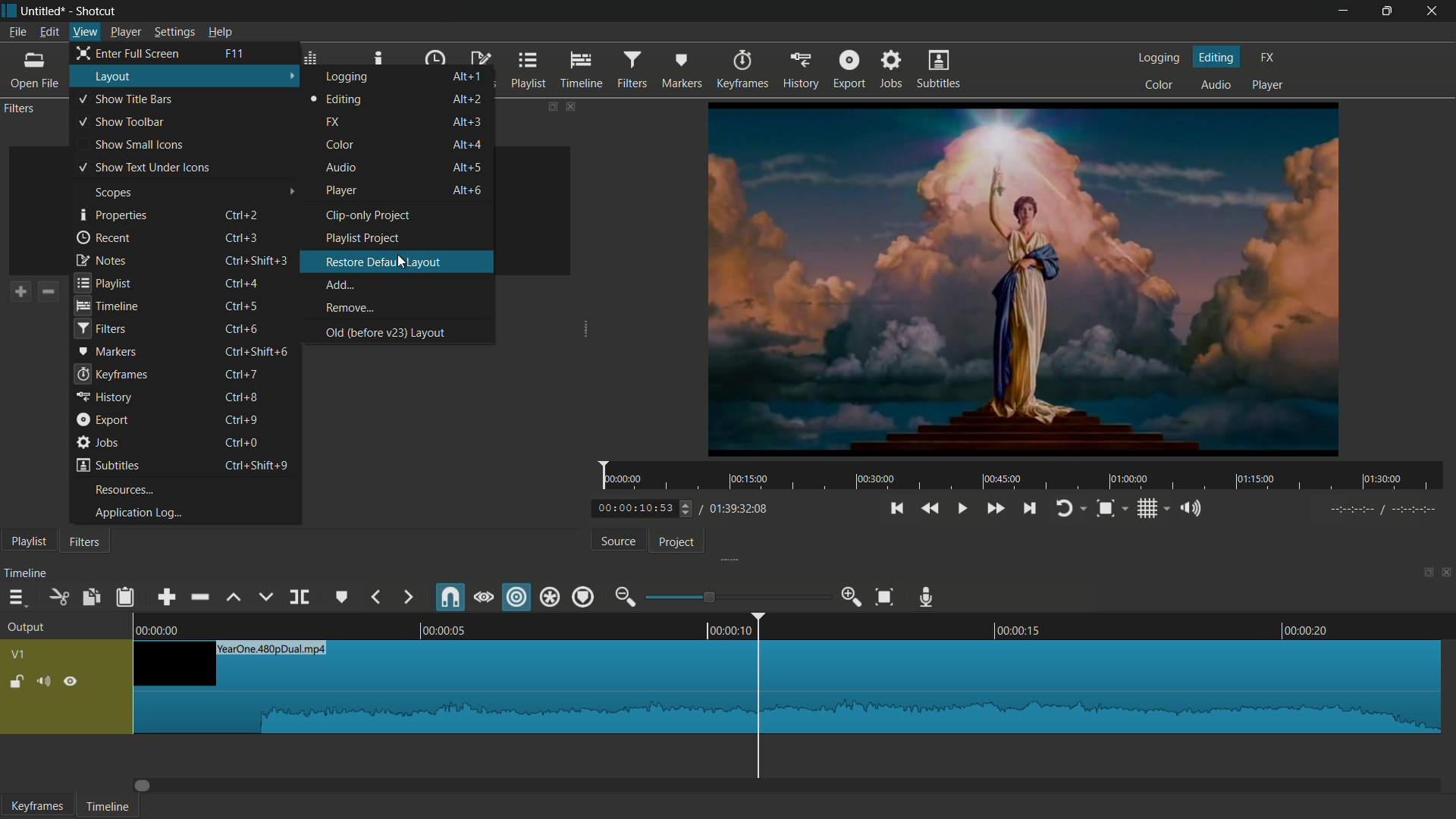 The width and height of the screenshot is (1456, 819). Describe the element at coordinates (342, 191) in the screenshot. I see `player` at that location.